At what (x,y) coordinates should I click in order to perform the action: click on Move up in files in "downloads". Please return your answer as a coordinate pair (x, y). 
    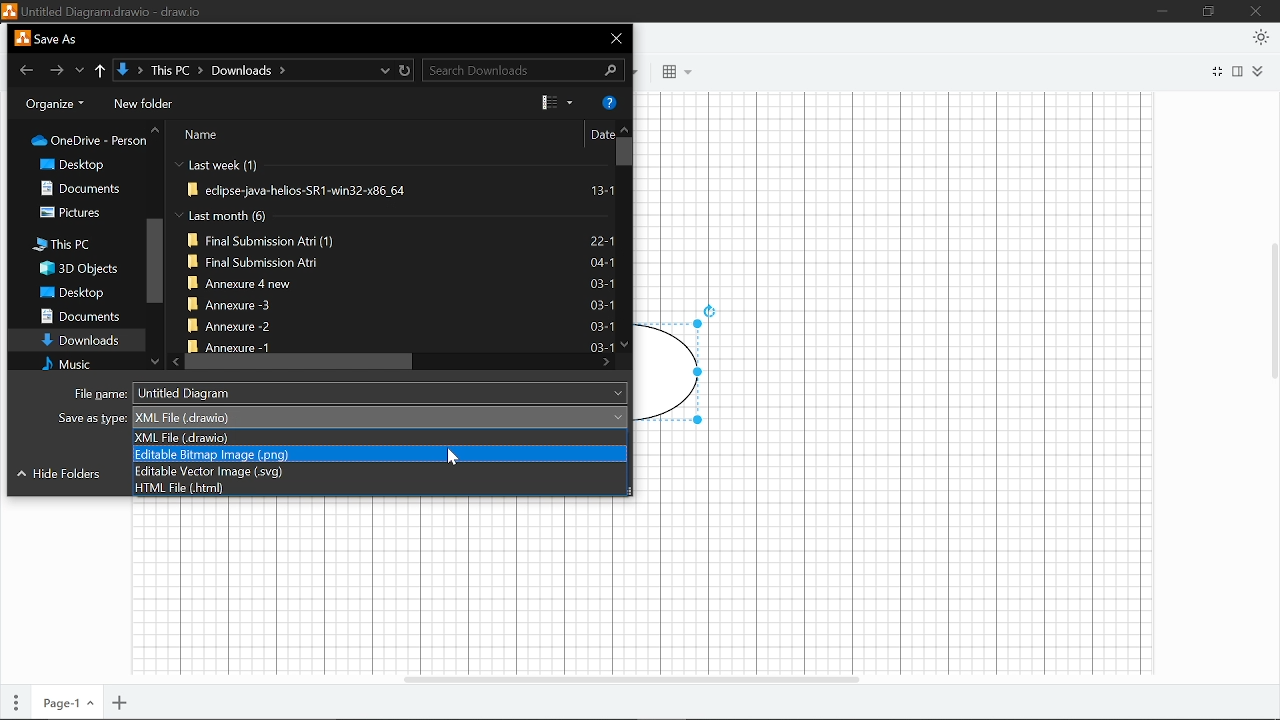
    Looking at the image, I should click on (625, 126).